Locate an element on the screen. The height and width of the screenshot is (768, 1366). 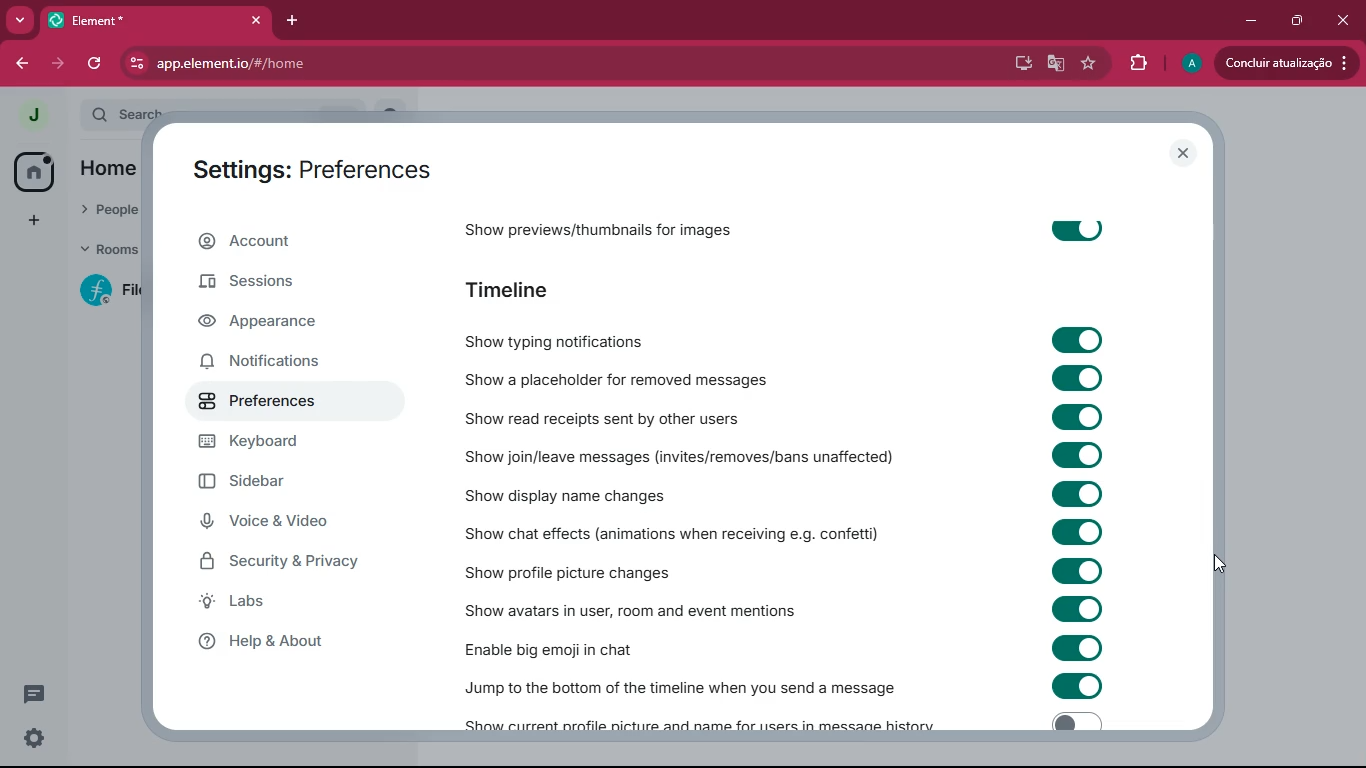
cursor is located at coordinates (1223, 566).